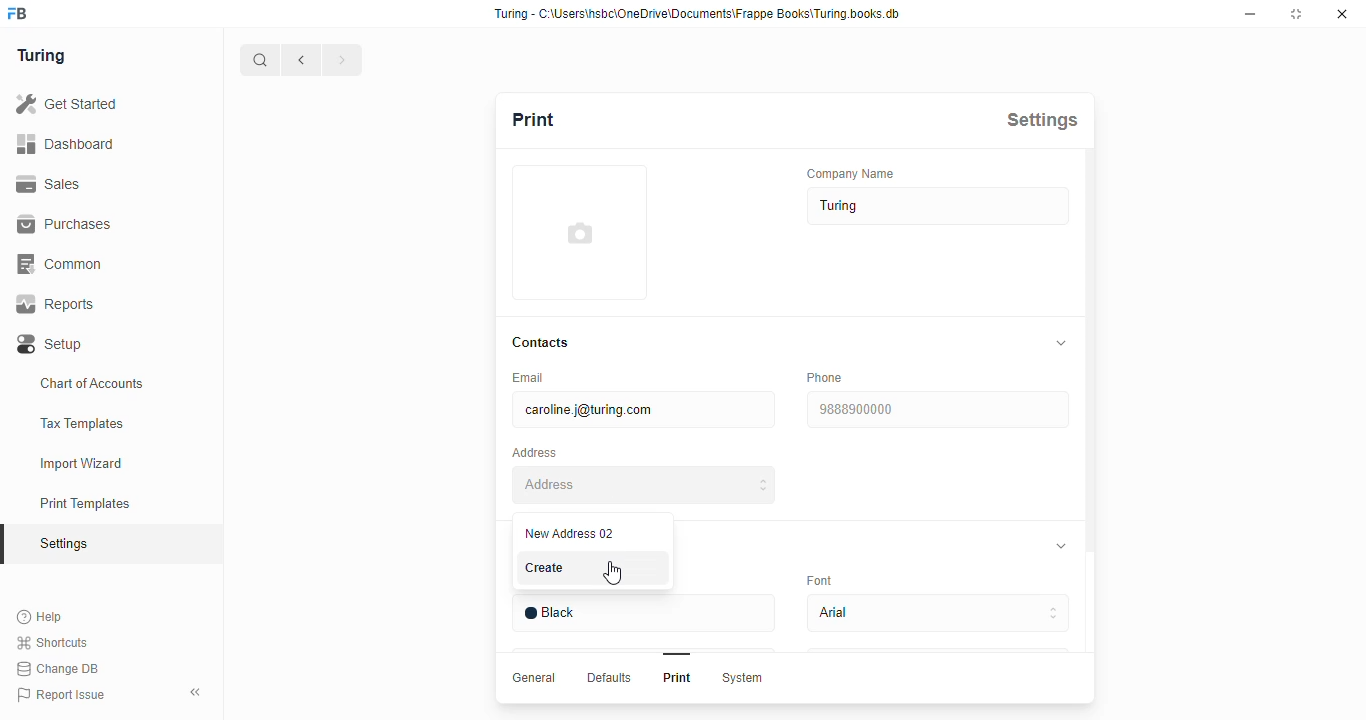 The image size is (1366, 720). What do you see at coordinates (612, 572) in the screenshot?
I see `cursor` at bounding box center [612, 572].